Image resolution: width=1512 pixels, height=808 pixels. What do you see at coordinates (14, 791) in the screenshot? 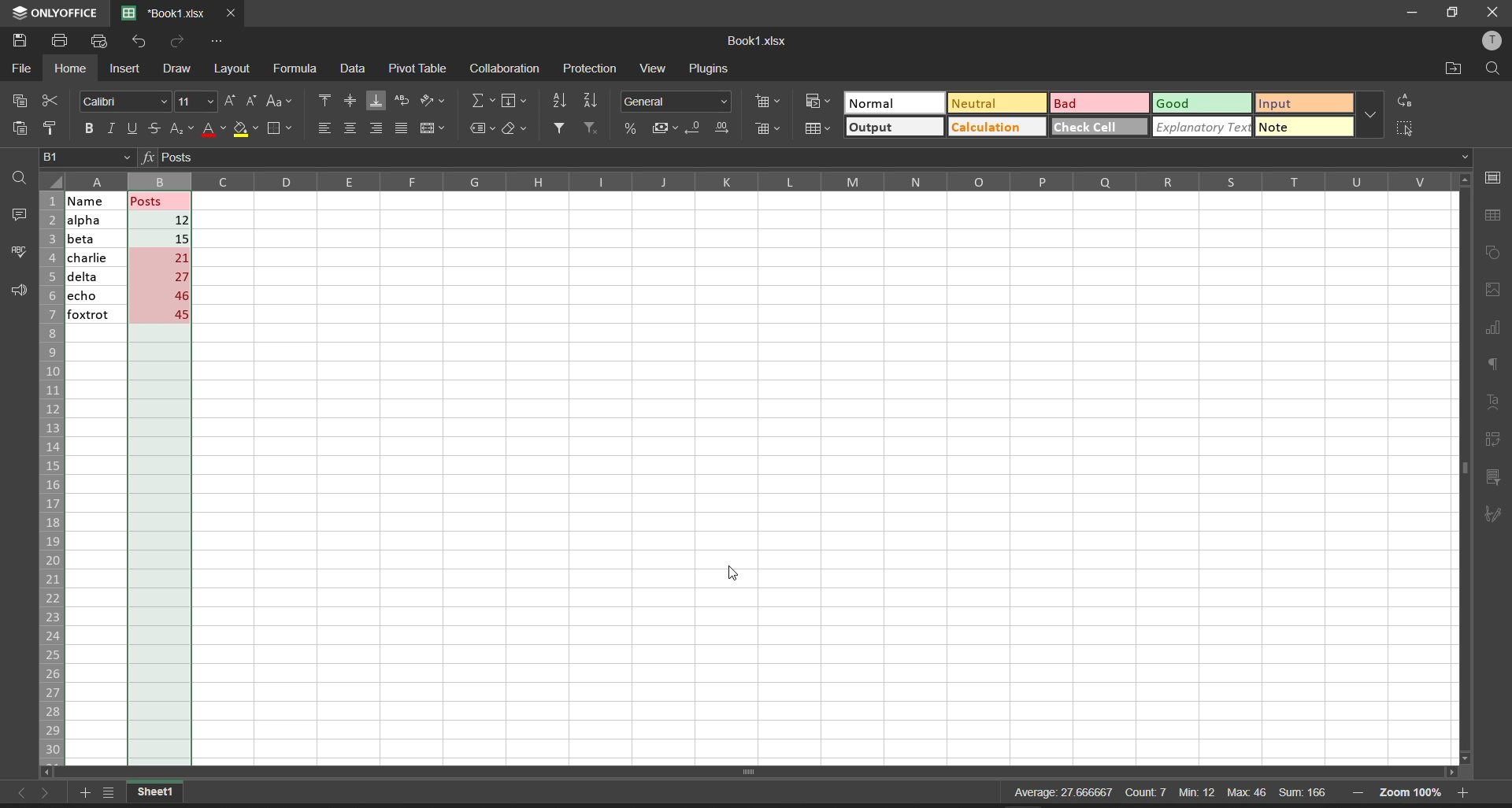
I see `move to the sheet left` at bounding box center [14, 791].